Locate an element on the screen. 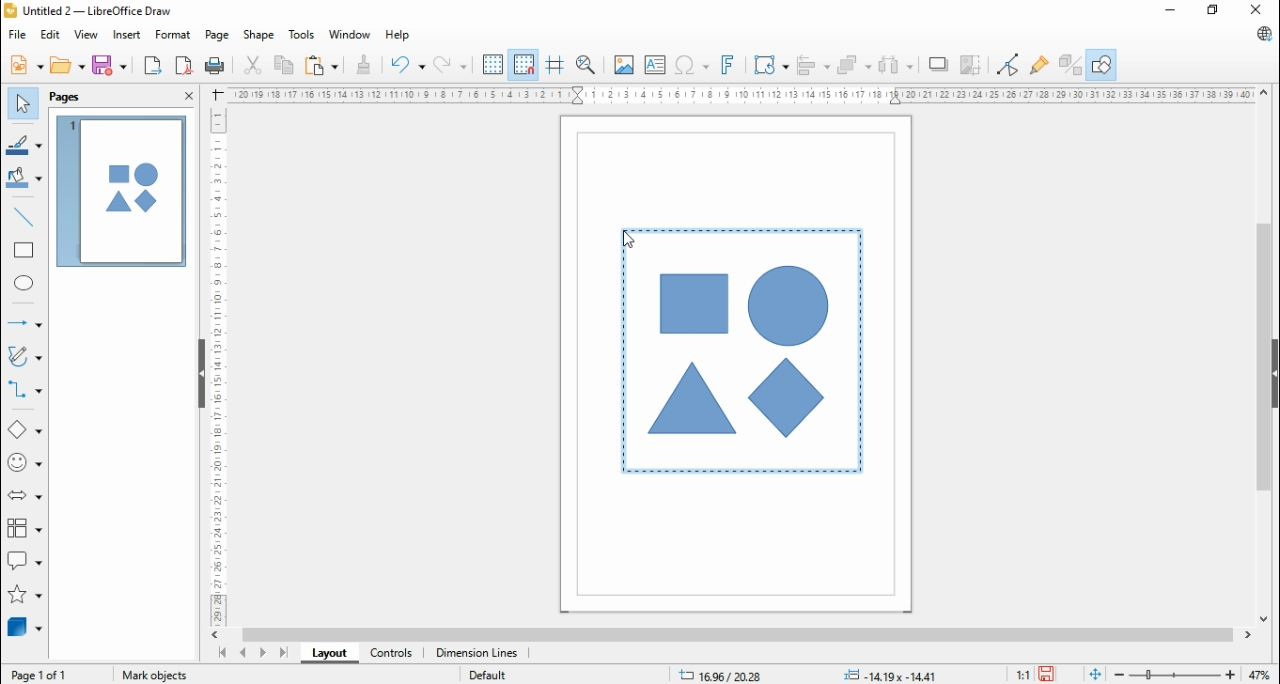 The width and height of the screenshot is (1280, 684). format is located at coordinates (174, 35).